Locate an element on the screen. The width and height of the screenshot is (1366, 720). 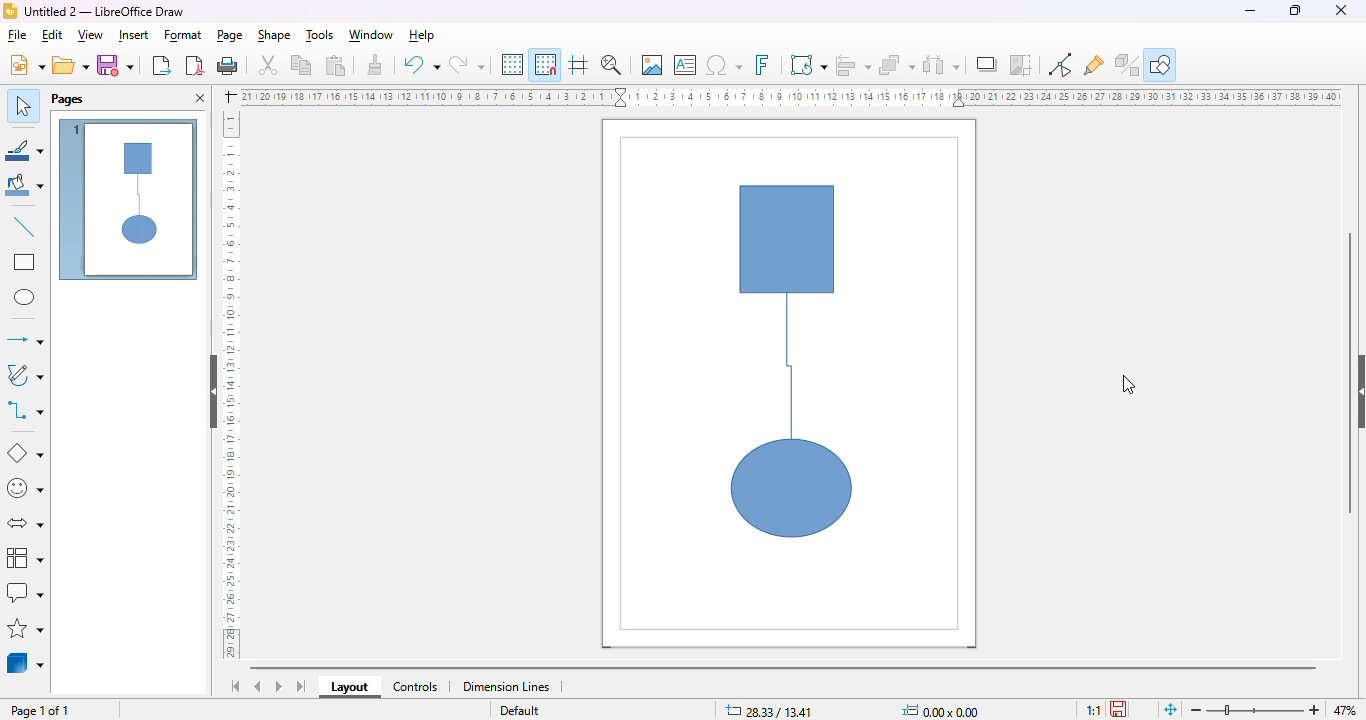
block arrows is located at coordinates (27, 523).